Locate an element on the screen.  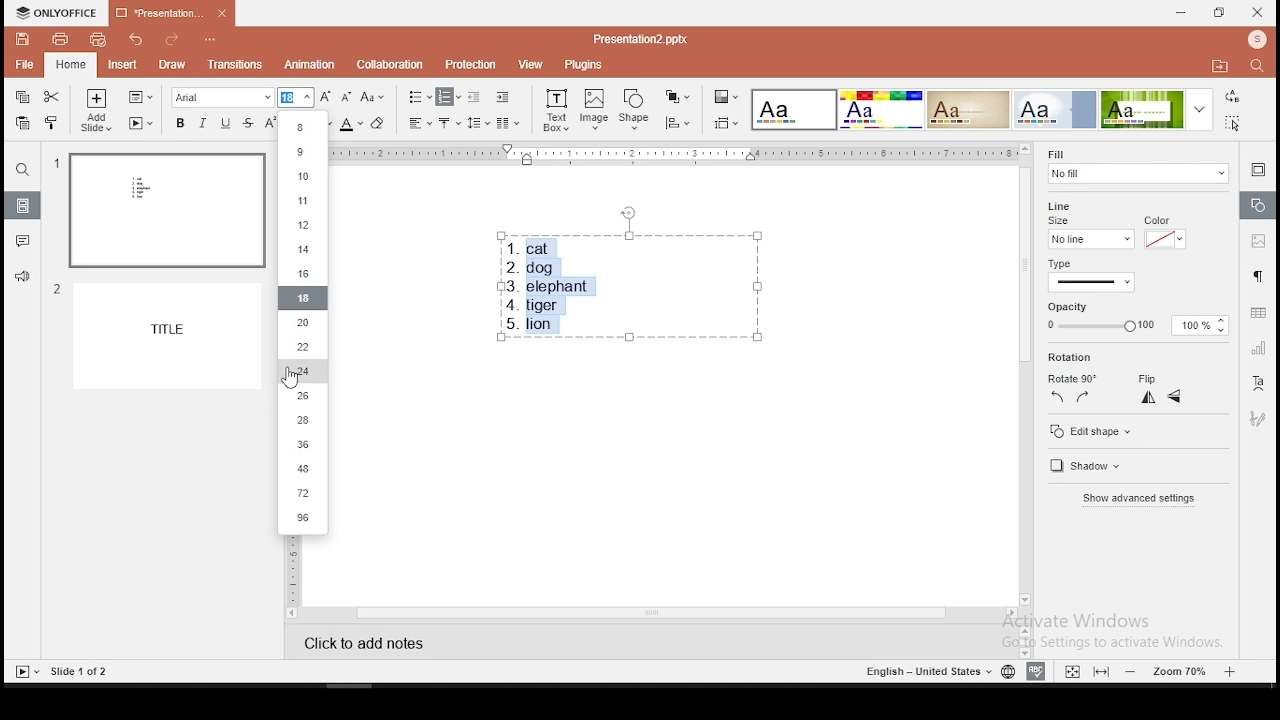
superscript is located at coordinates (266, 122).